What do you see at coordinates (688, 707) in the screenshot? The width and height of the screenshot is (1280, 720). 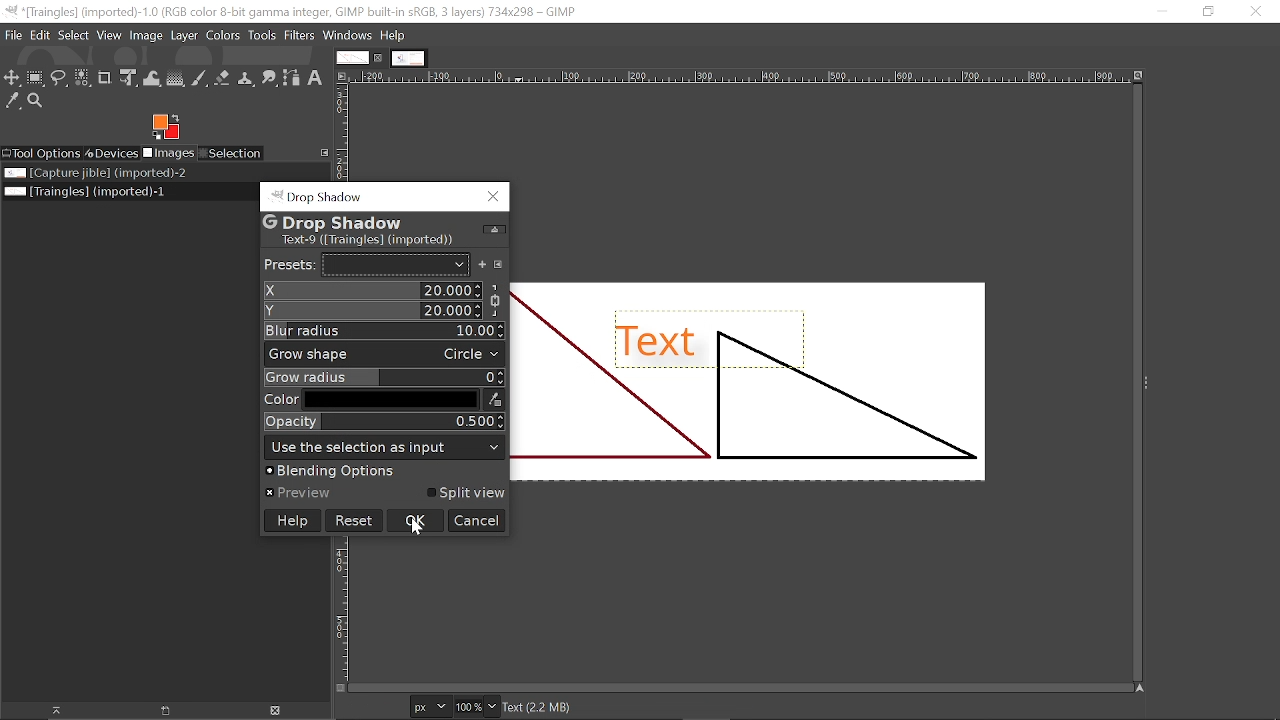 I see `Text (2.2 MB)` at bounding box center [688, 707].